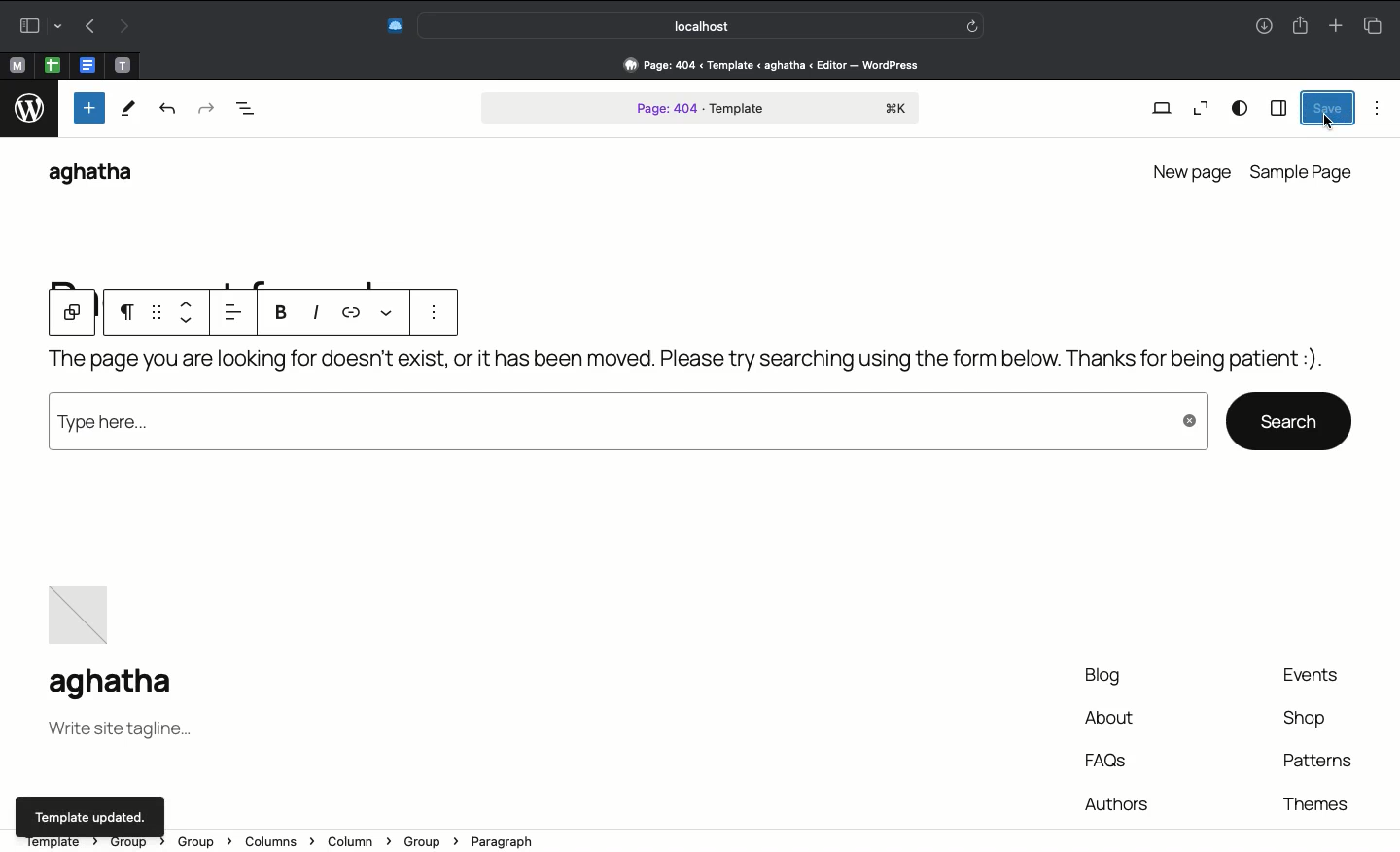  Describe the element at coordinates (1116, 800) in the screenshot. I see `authors` at that location.